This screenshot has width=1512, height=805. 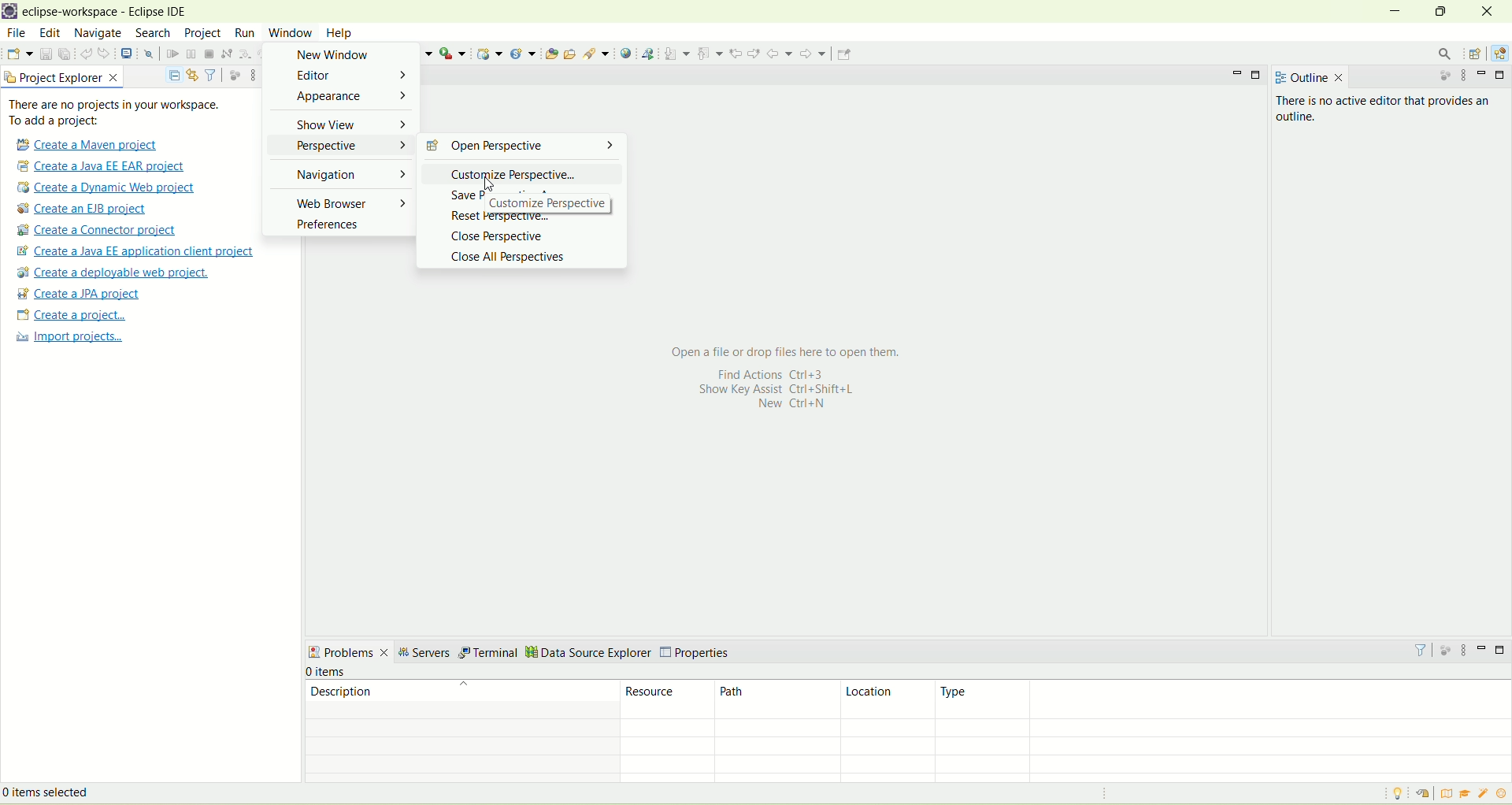 What do you see at coordinates (512, 257) in the screenshot?
I see `close all perspectives` at bounding box center [512, 257].